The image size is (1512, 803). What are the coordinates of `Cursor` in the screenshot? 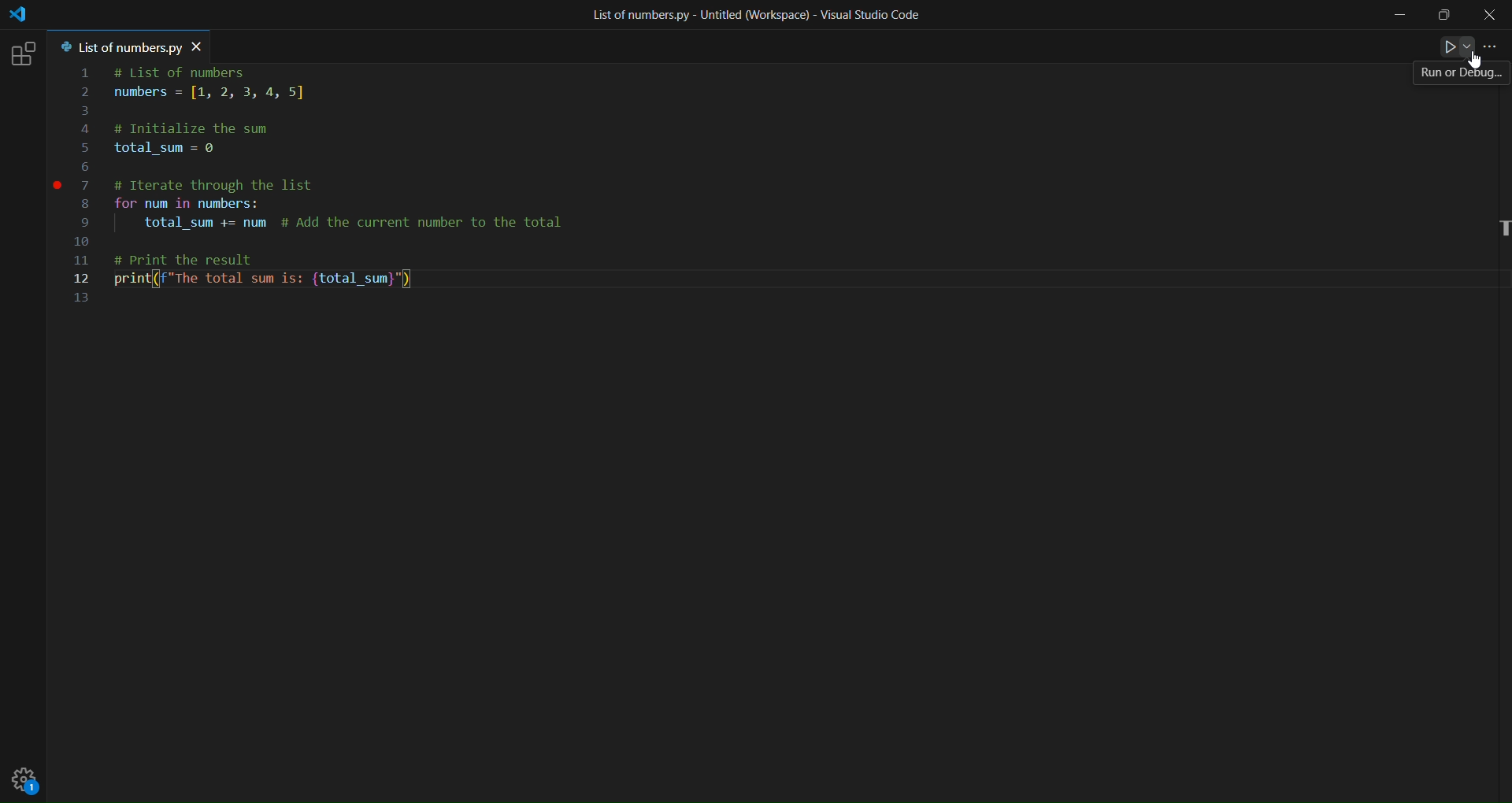 It's located at (1477, 60).